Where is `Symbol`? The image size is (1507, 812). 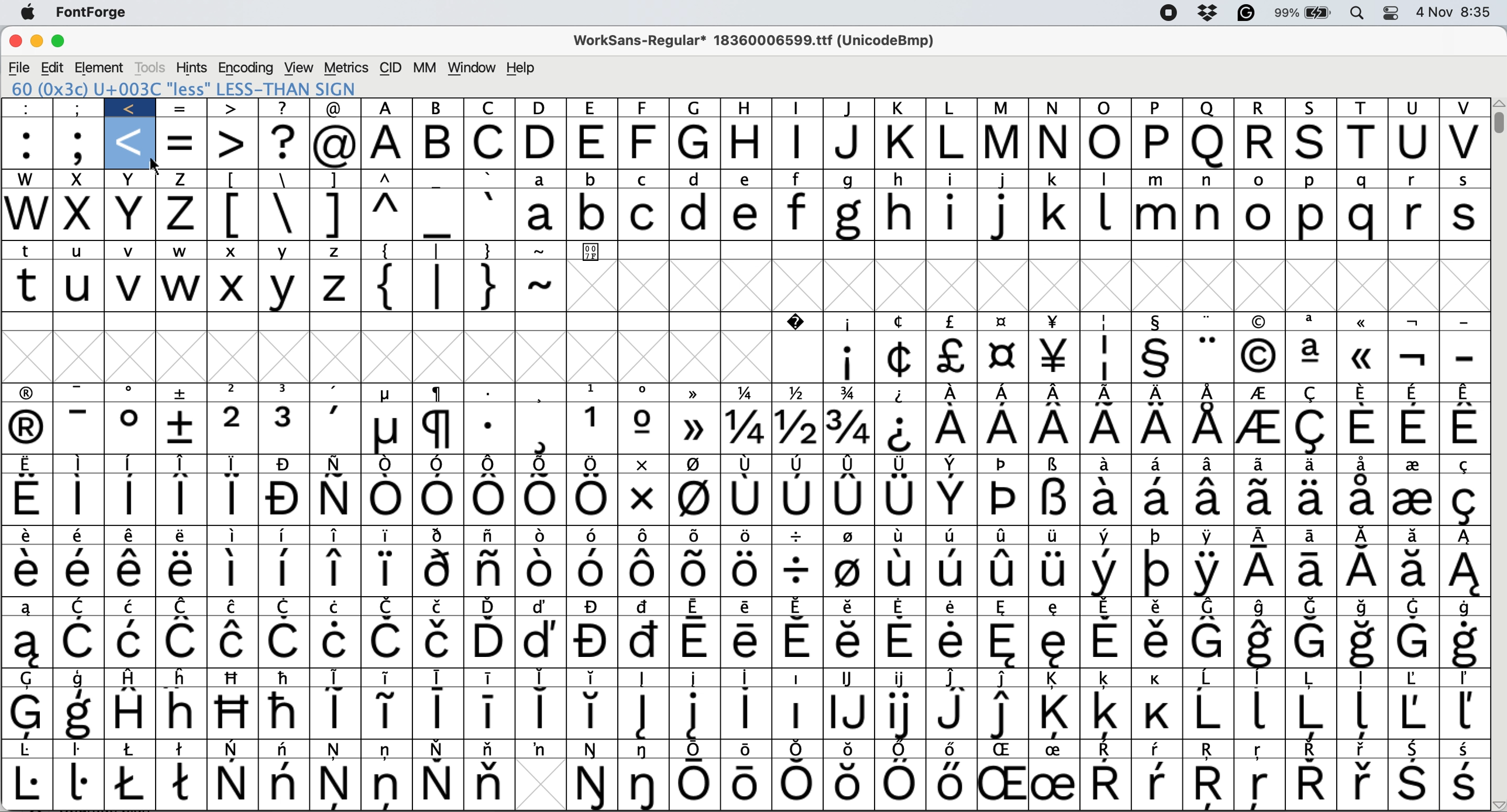 Symbol is located at coordinates (339, 463).